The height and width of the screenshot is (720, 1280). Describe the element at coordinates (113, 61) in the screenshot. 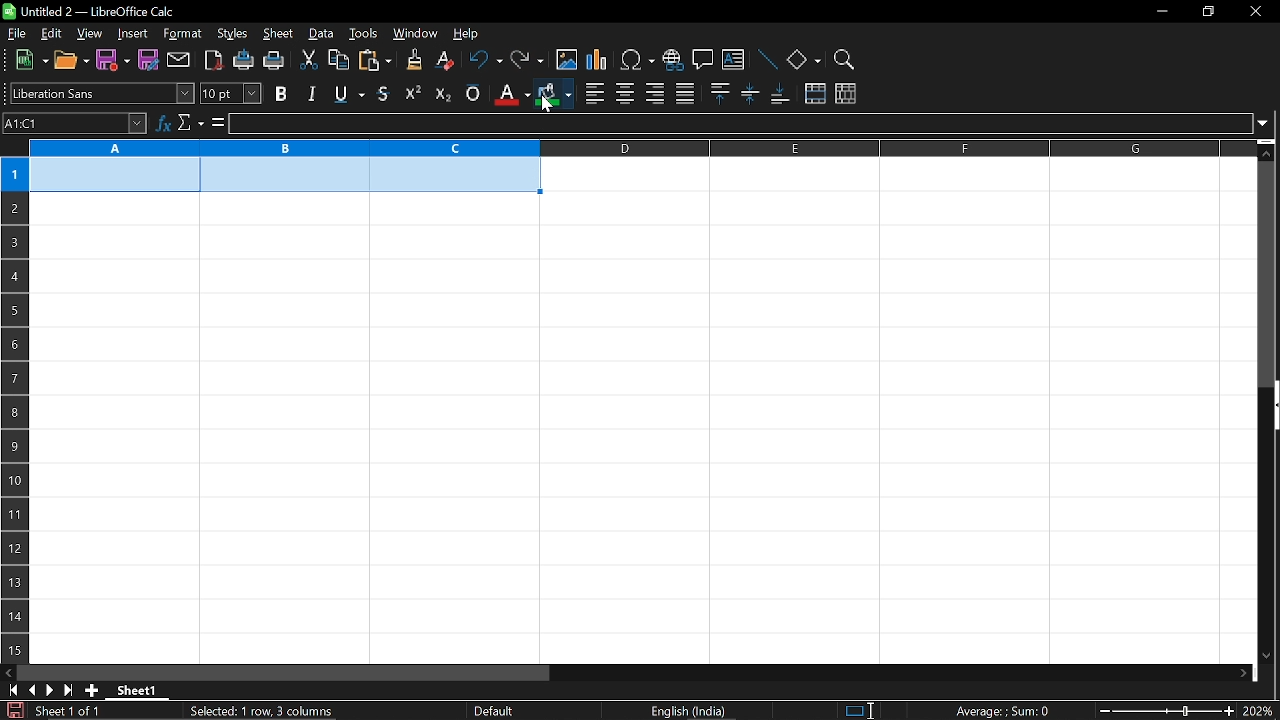

I see `save` at that location.